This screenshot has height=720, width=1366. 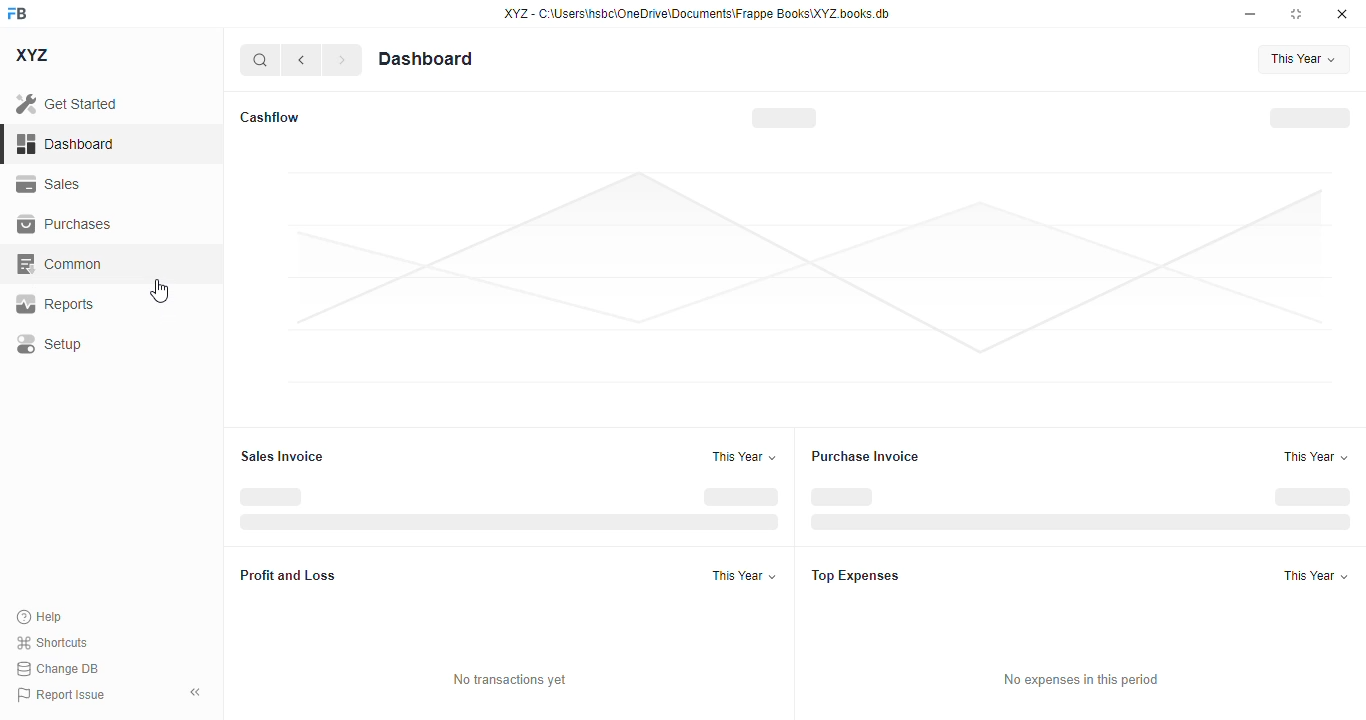 What do you see at coordinates (810, 277) in the screenshot?
I see `graph` at bounding box center [810, 277].